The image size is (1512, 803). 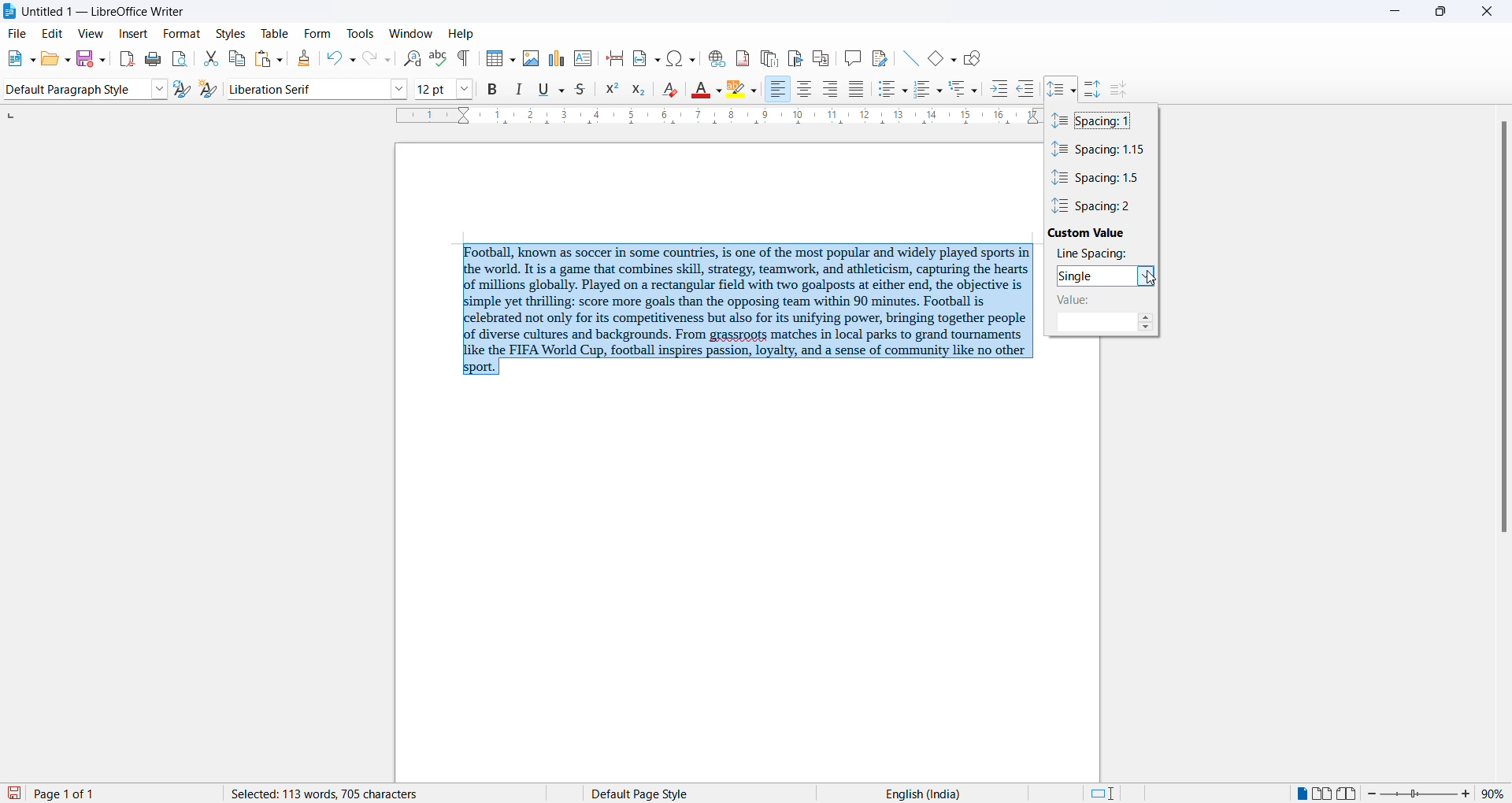 What do you see at coordinates (275, 32) in the screenshot?
I see `table` at bounding box center [275, 32].